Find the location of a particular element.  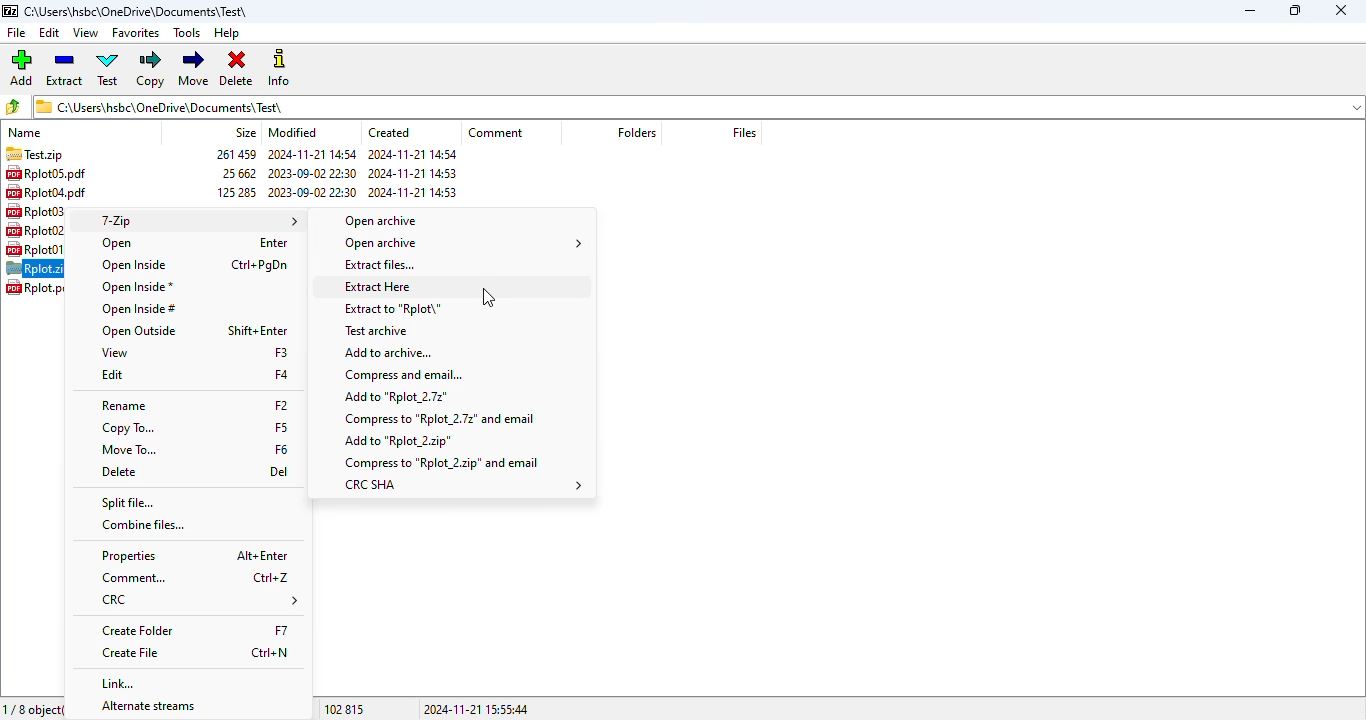

Rplot03.pdf is located at coordinates (48, 212).